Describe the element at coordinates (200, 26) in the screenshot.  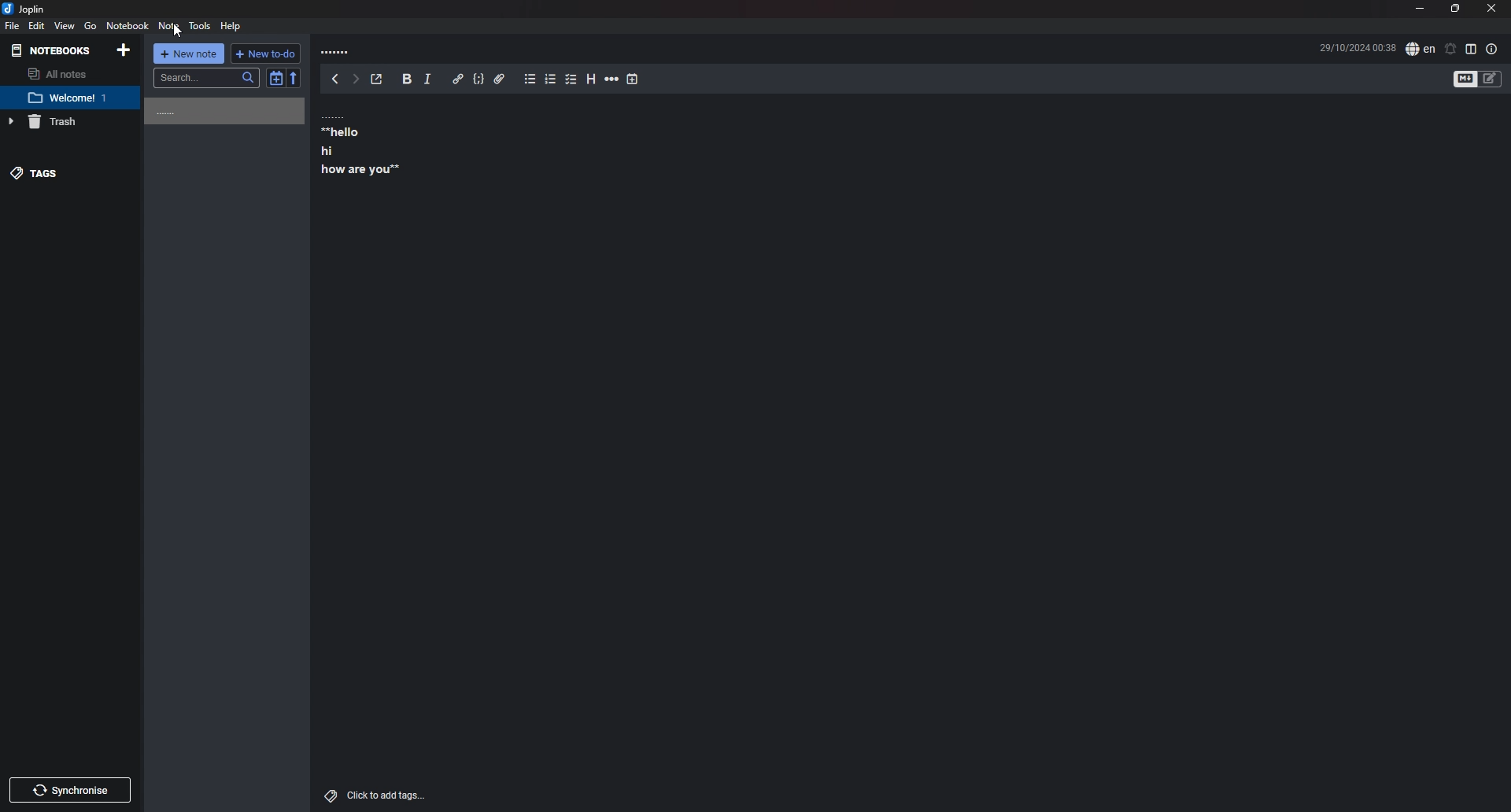
I see `Tools` at that location.